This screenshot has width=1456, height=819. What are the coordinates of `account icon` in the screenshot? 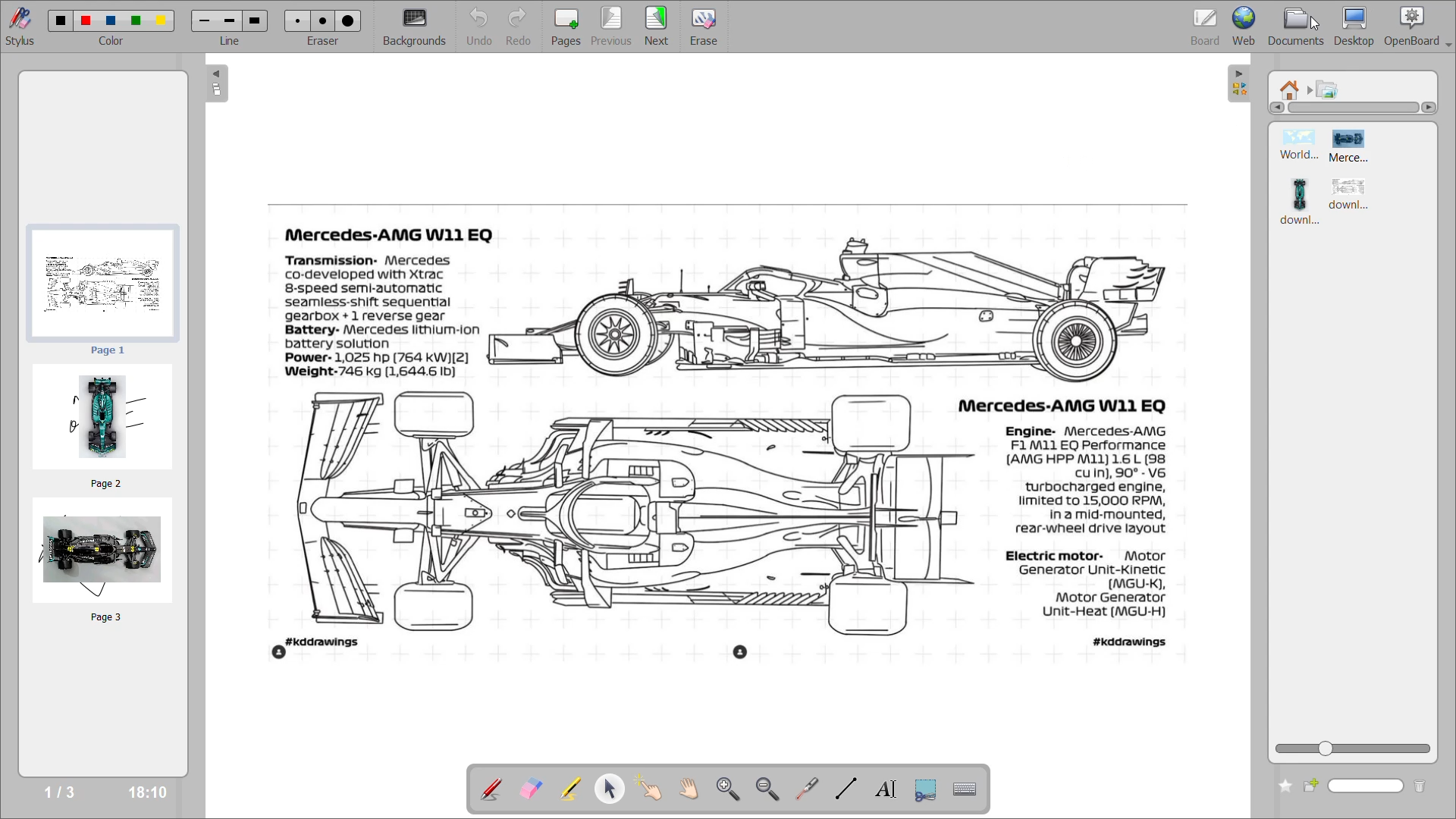 It's located at (280, 653).